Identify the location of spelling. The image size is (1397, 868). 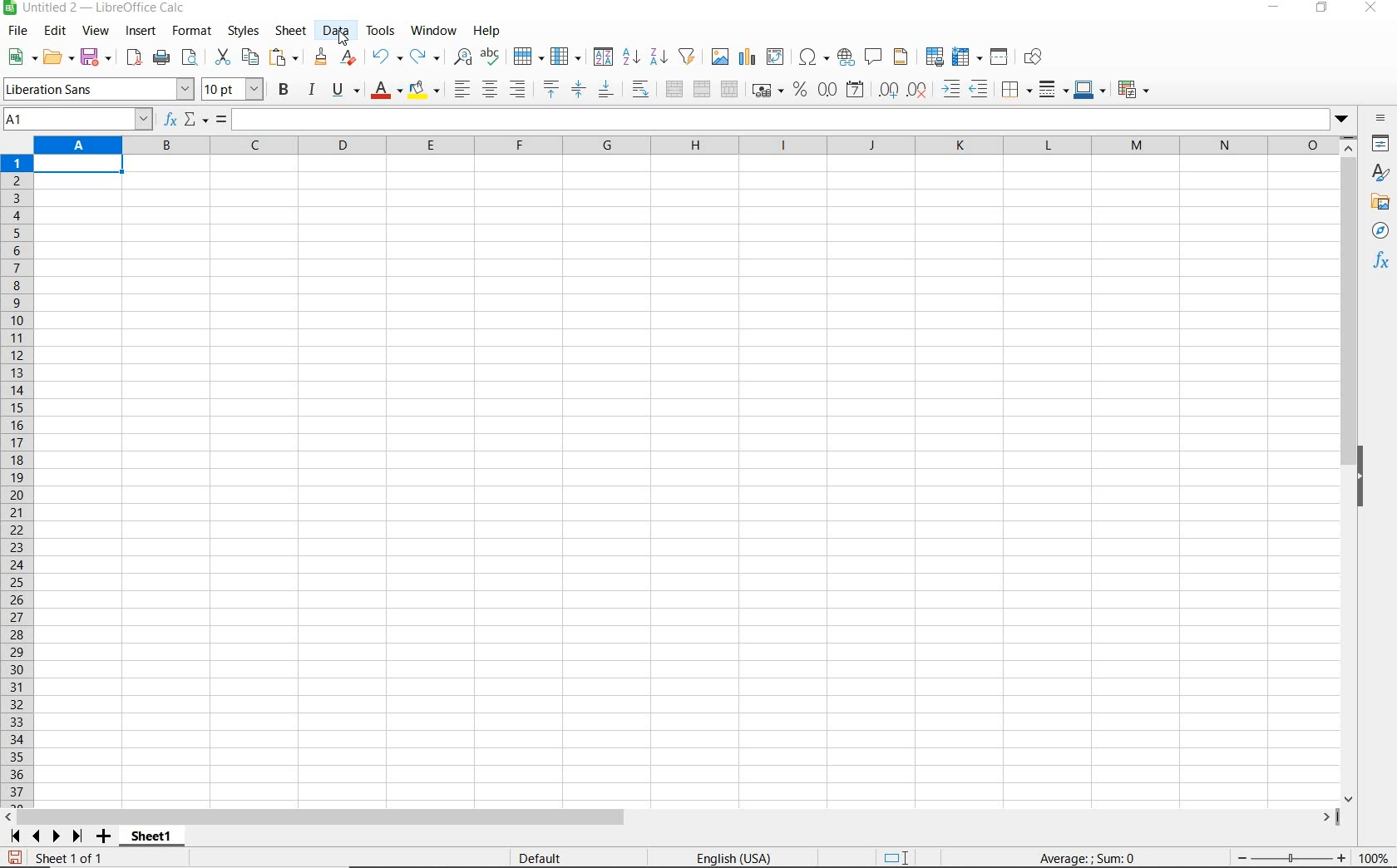
(492, 57).